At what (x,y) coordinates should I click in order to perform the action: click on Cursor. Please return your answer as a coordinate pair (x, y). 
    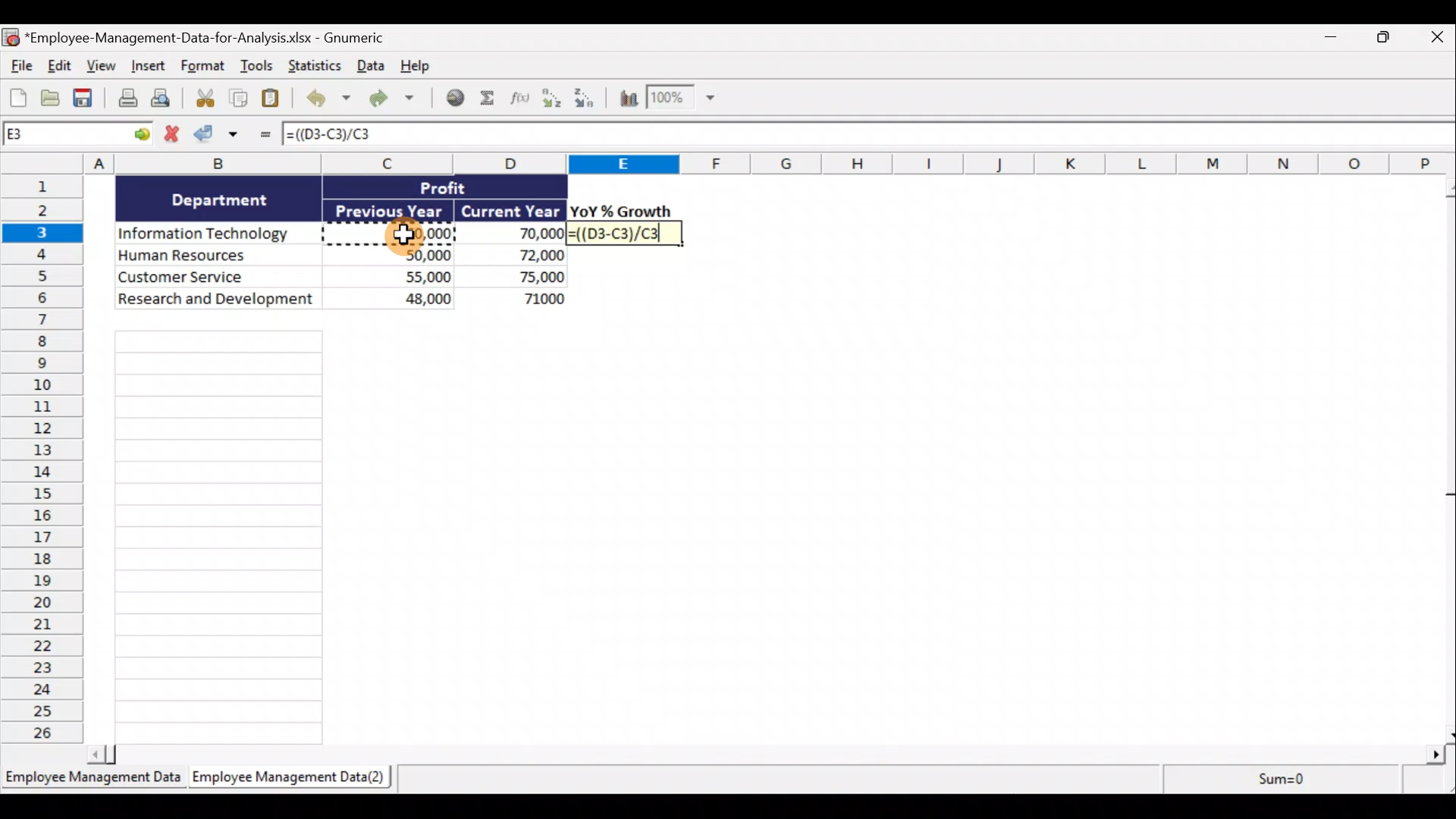
    Looking at the image, I should click on (407, 237).